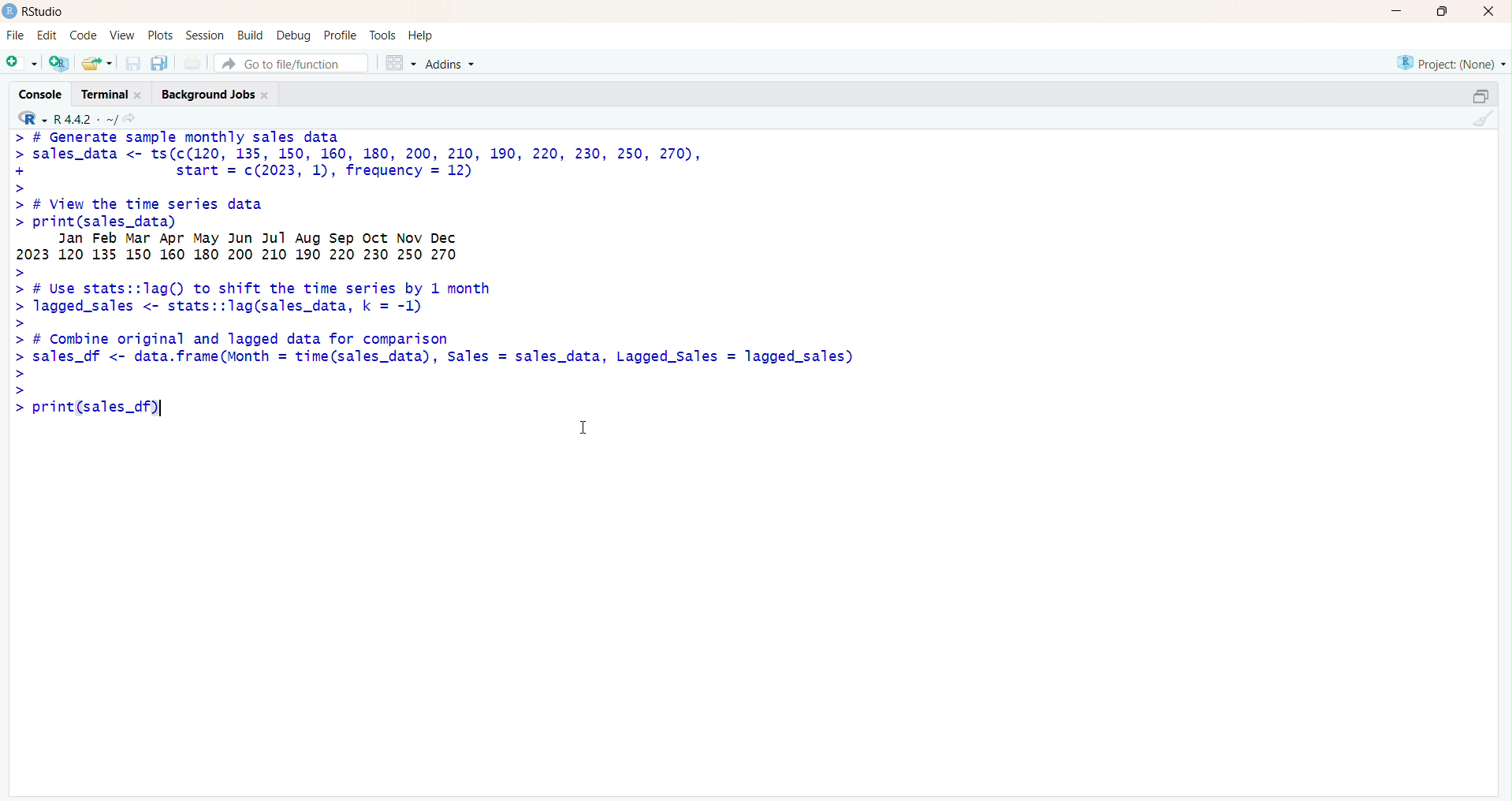 The height and width of the screenshot is (801, 1512). I want to click on print(sales_df), so click(106, 410).